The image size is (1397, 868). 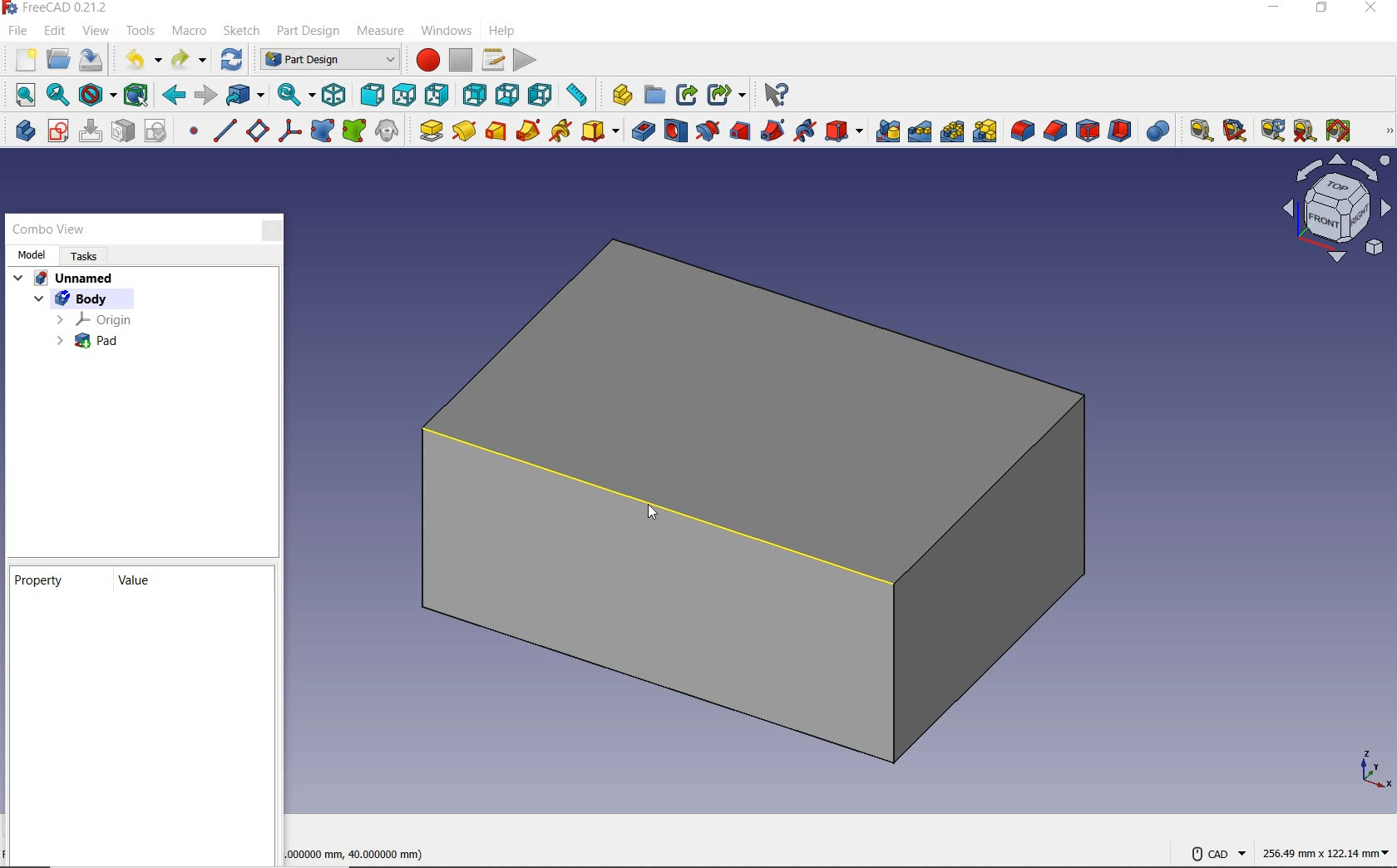 I want to click on measure distance, so click(x=579, y=96).